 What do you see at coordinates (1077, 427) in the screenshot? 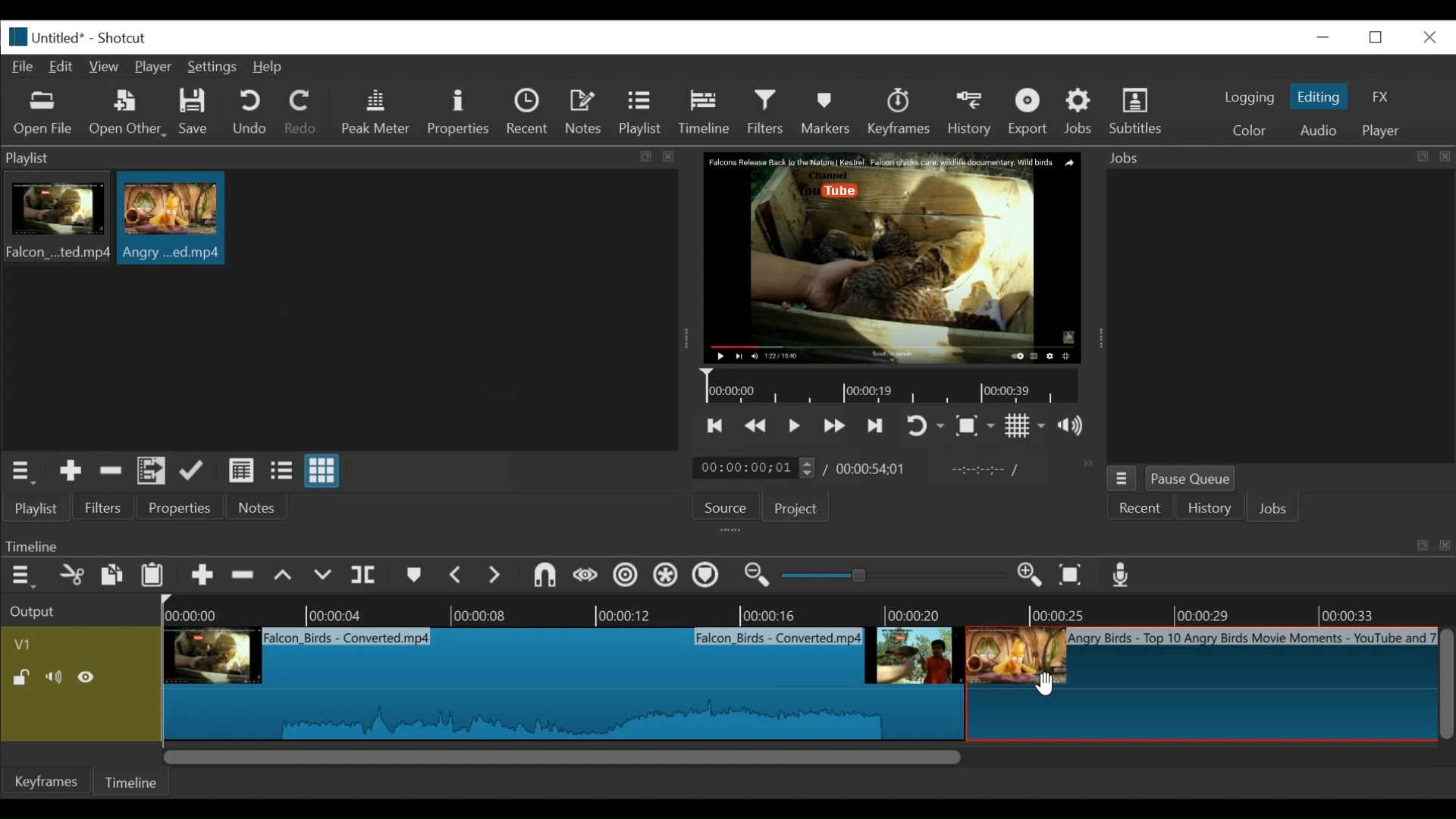
I see `show volume control` at bounding box center [1077, 427].